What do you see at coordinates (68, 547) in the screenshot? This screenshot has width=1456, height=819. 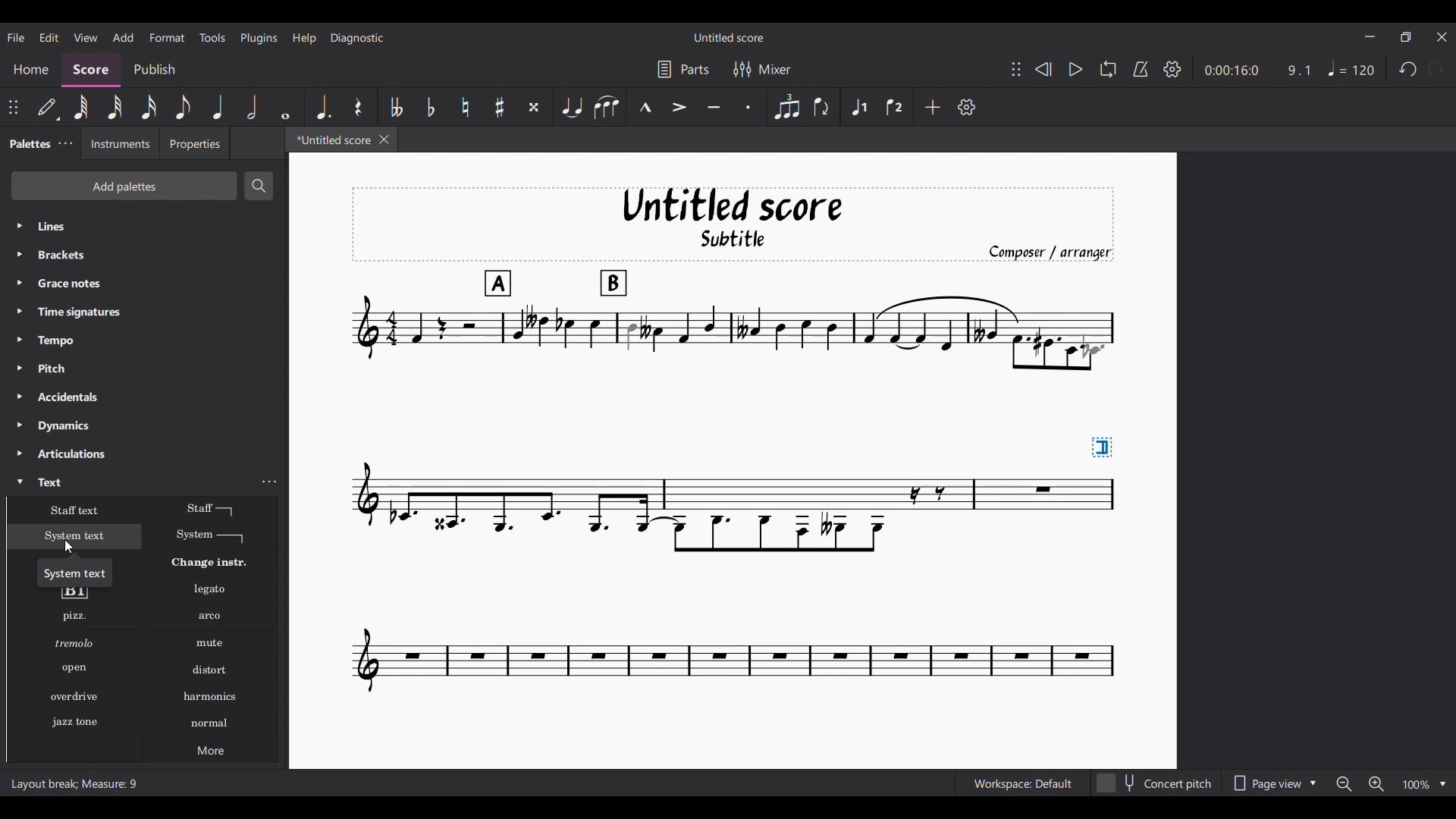 I see `Cursor` at bounding box center [68, 547].